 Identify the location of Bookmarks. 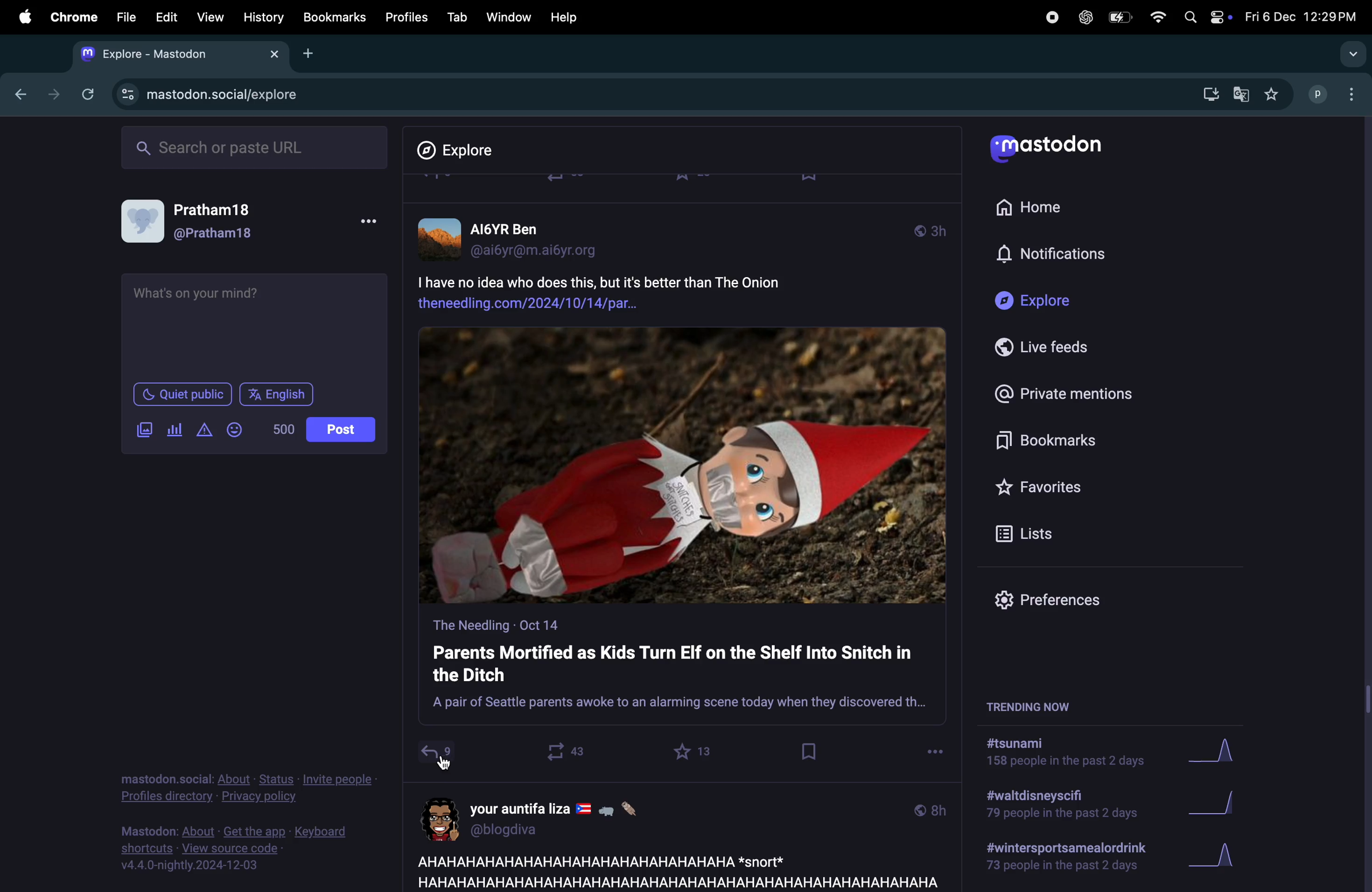
(1053, 443).